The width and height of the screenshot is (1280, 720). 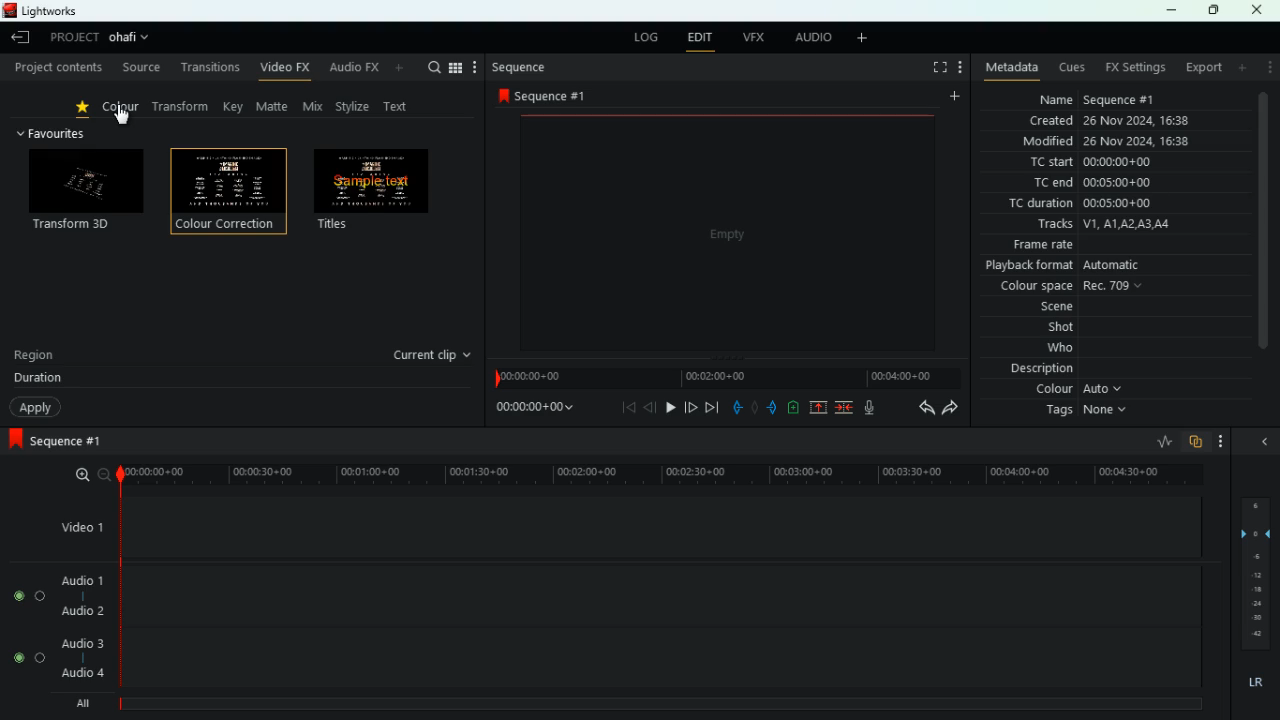 I want to click on text, so click(x=400, y=105).